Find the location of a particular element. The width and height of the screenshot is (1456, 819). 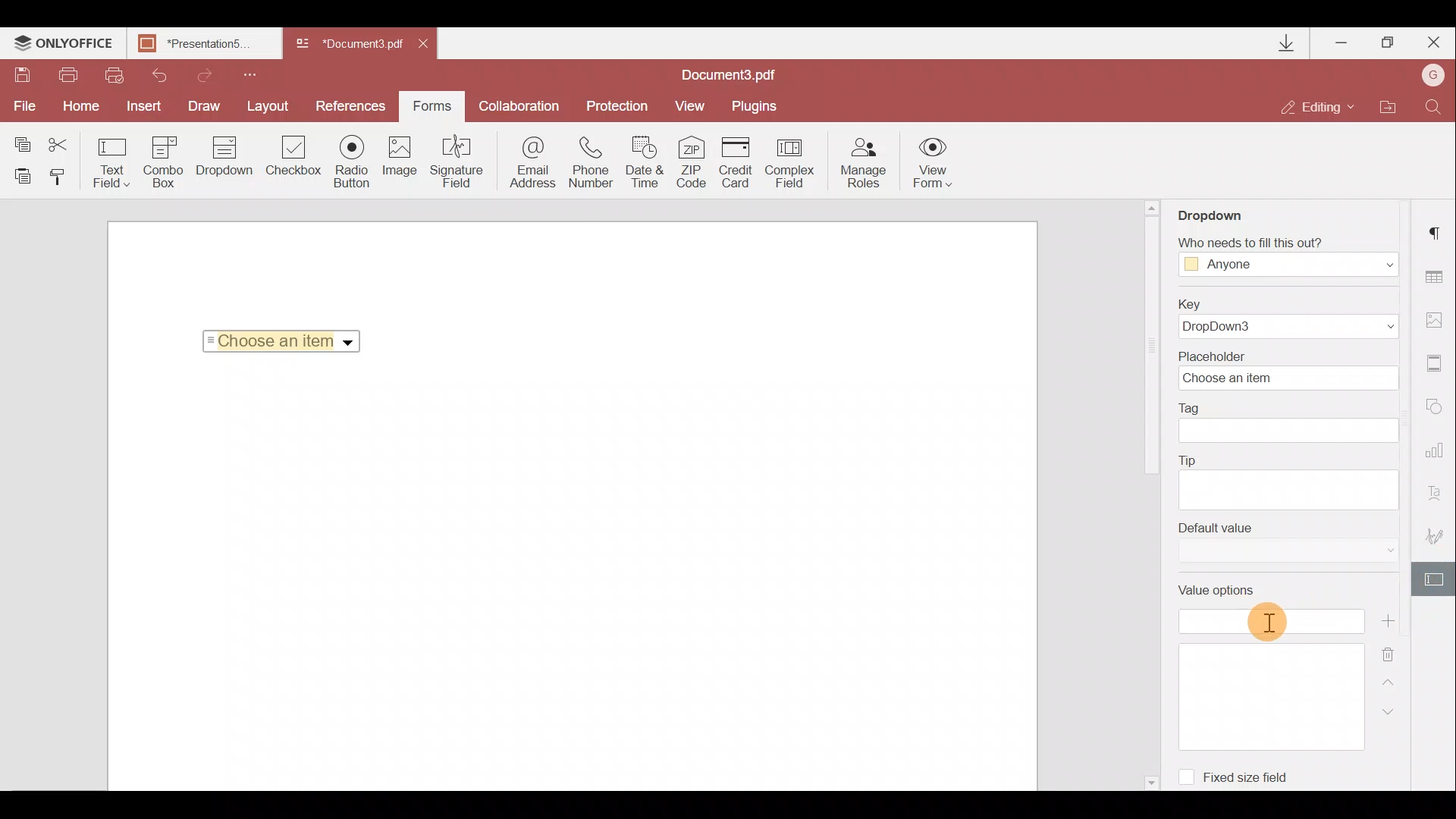

Phone number is located at coordinates (593, 162).